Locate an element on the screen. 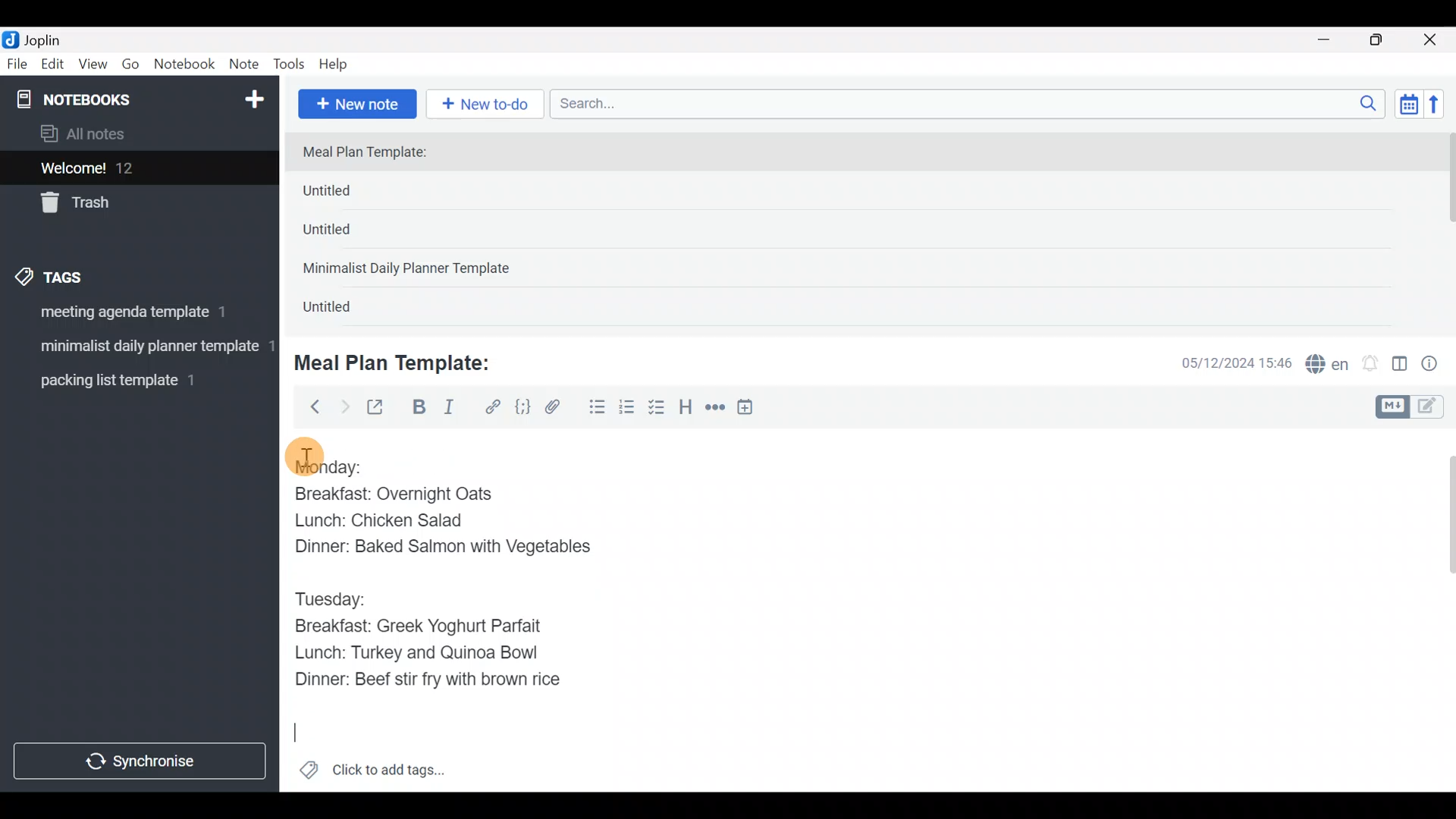  Italic is located at coordinates (447, 410).